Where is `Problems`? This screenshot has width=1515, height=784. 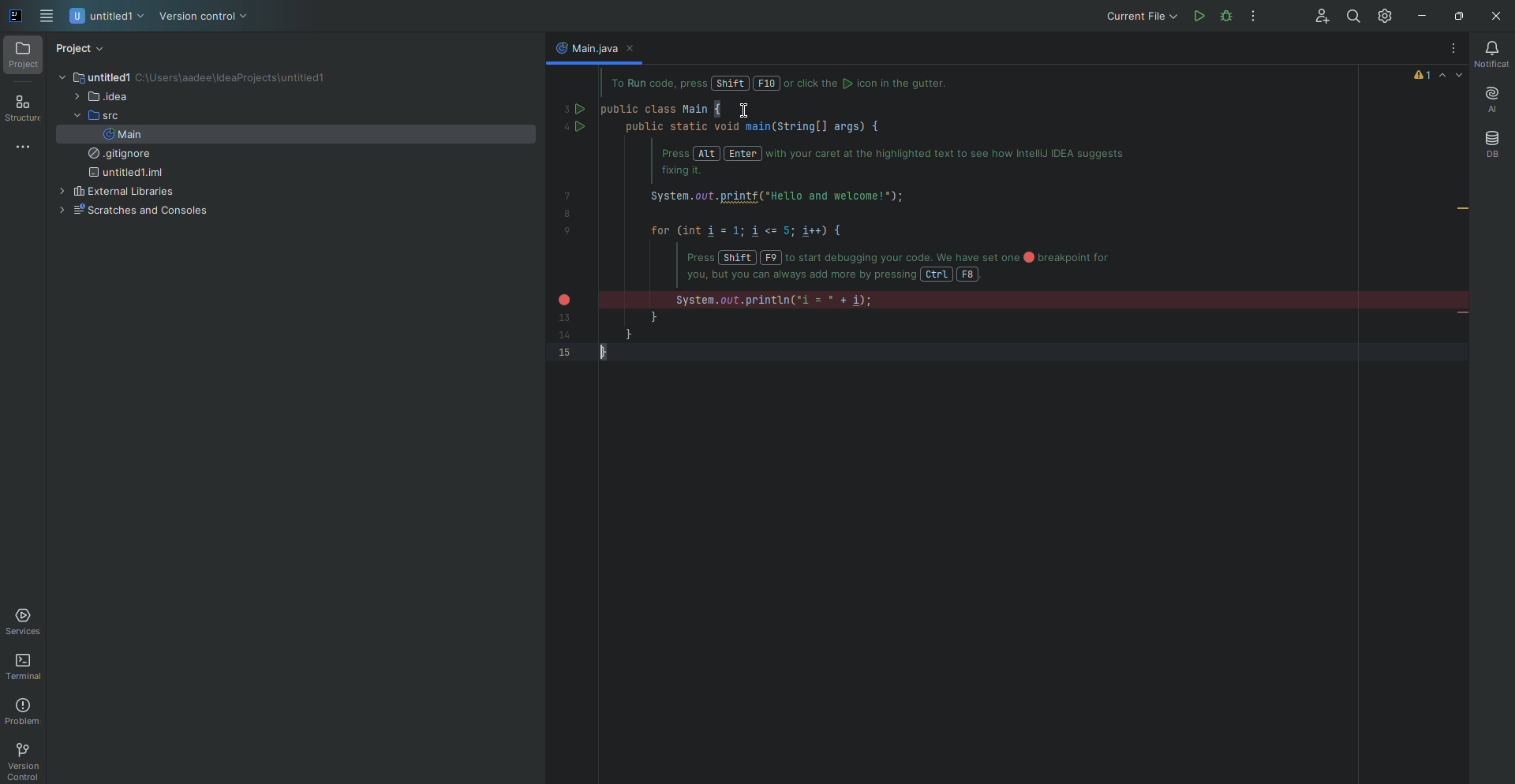
Problems is located at coordinates (25, 711).